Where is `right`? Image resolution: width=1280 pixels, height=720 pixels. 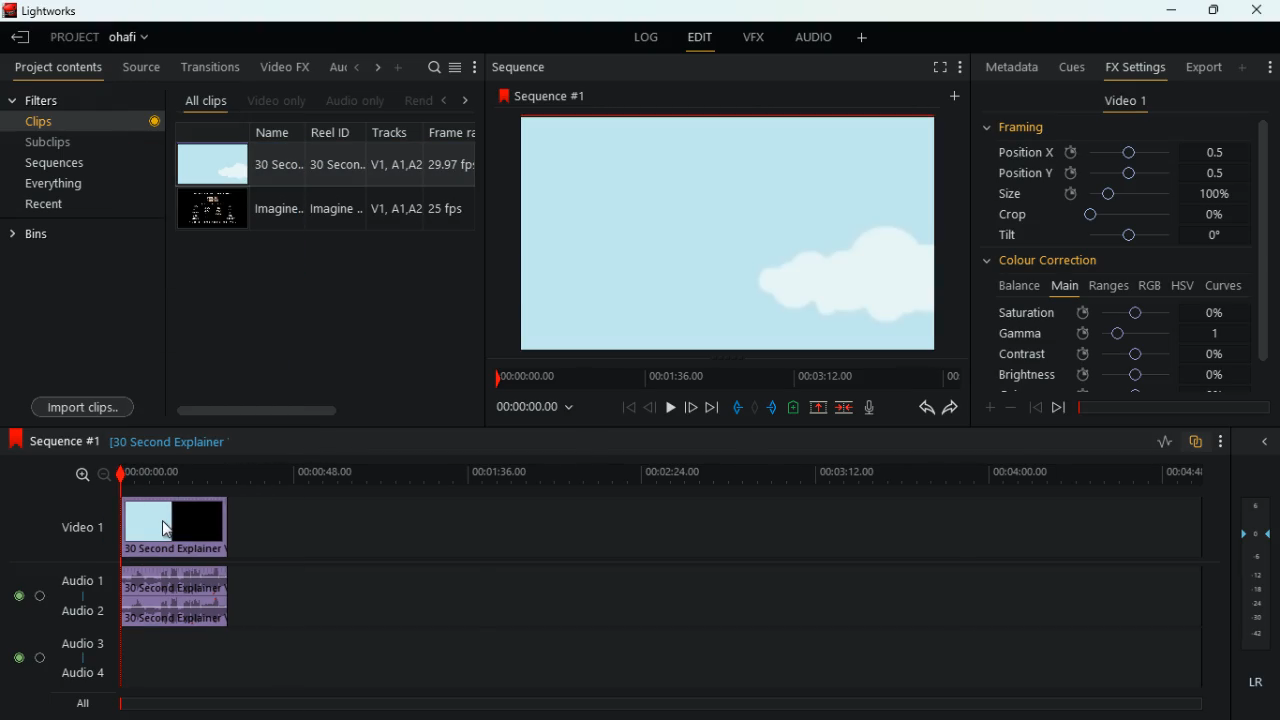 right is located at coordinates (465, 100).